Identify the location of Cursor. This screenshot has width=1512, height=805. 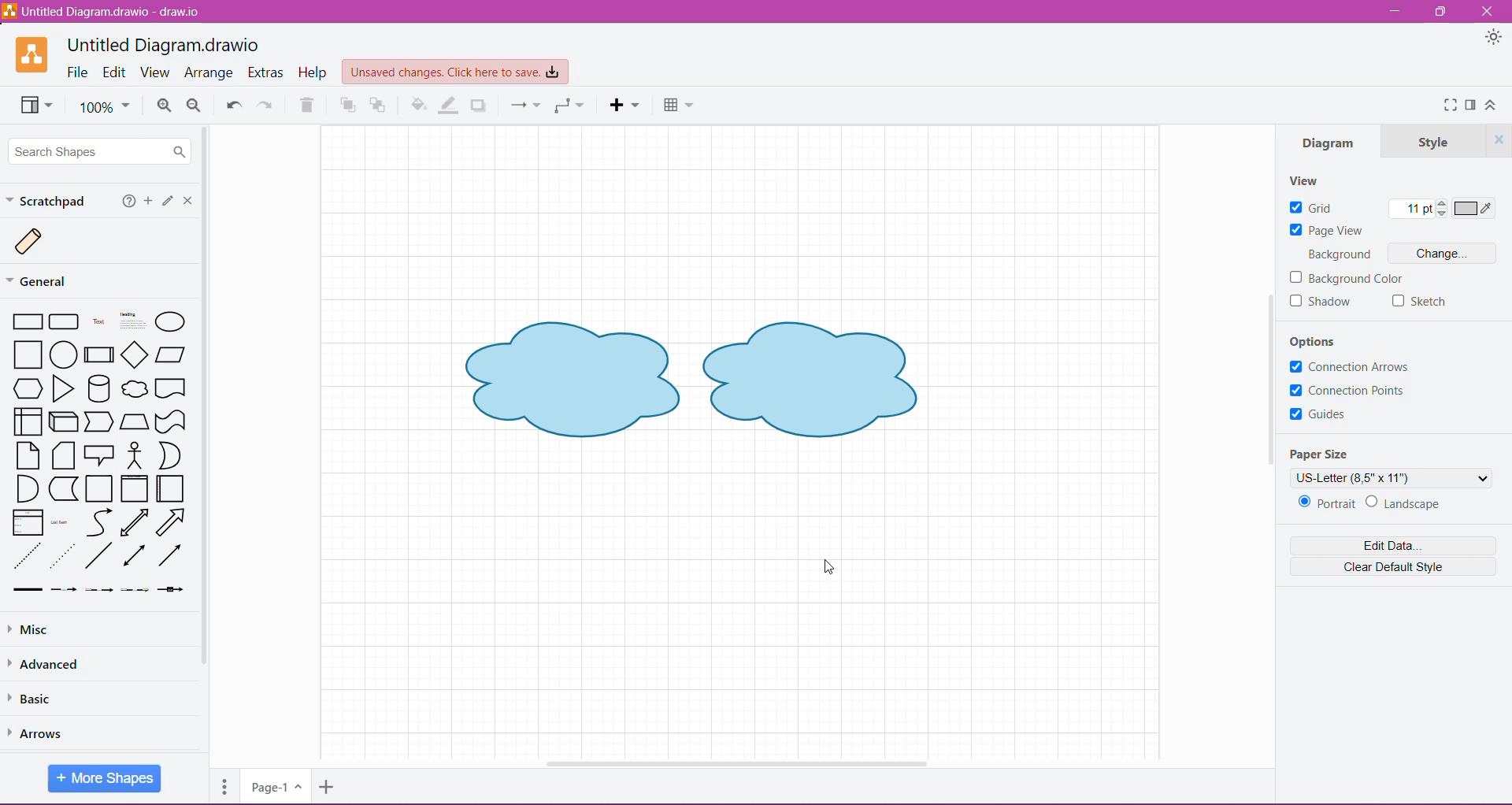
(828, 566).